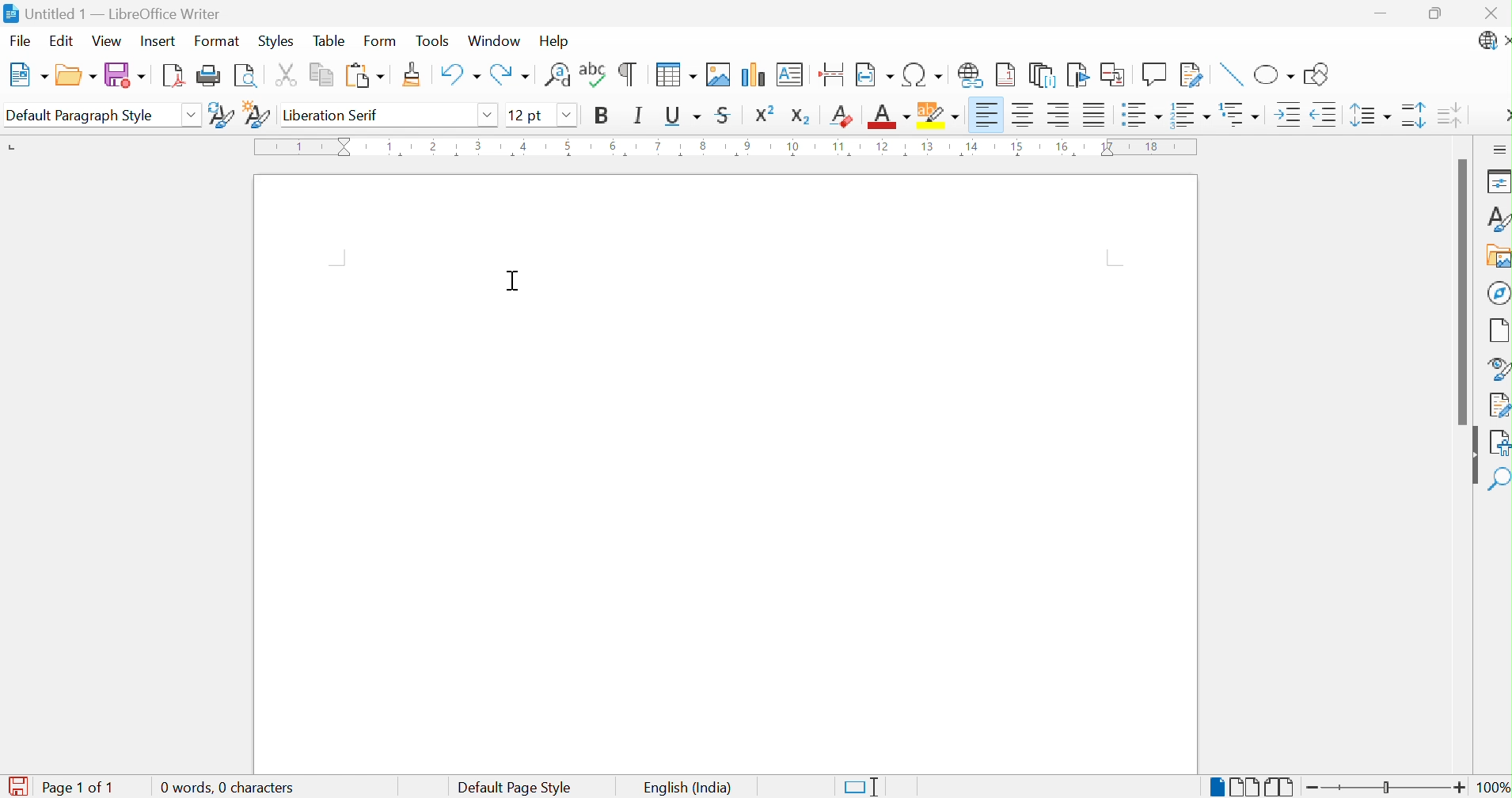 The width and height of the screenshot is (1512, 798). Describe the element at coordinates (1493, 787) in the screenshot. I see `100%` at that location.